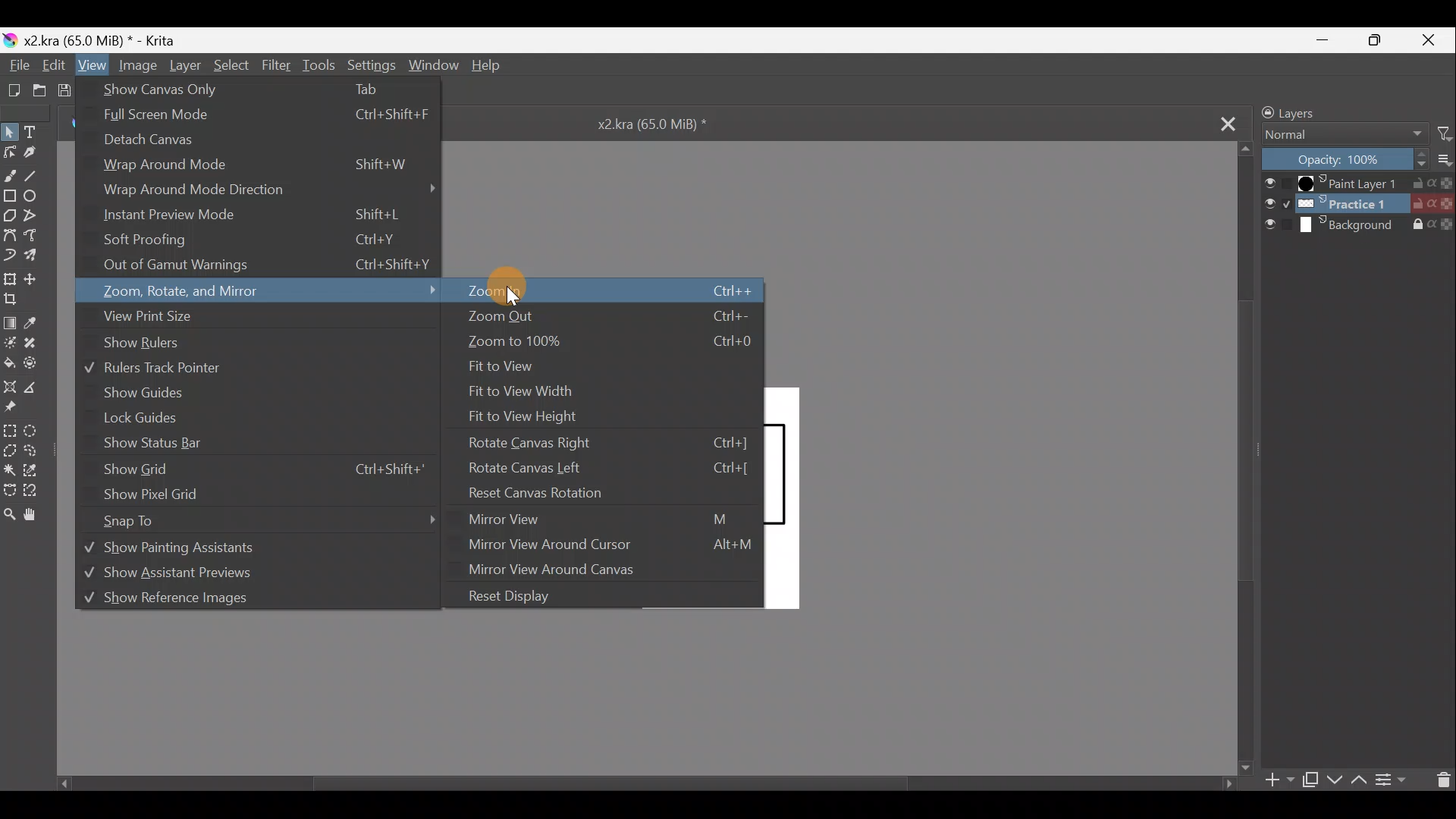  Describe the element at coordinates (561, 493) in the screenshot. I see `Reset canvas rotation` at that location.